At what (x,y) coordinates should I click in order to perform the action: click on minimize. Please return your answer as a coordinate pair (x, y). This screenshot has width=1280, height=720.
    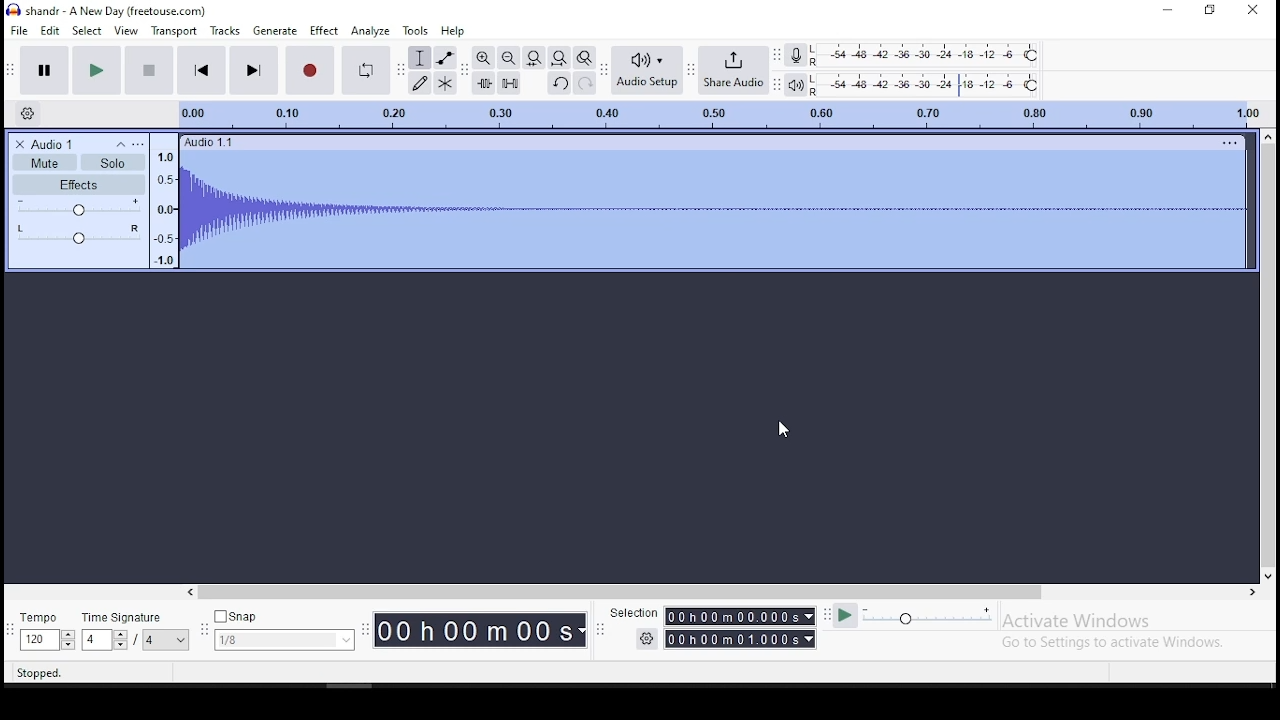
    Looking at the image, I should click on (1167, 11).